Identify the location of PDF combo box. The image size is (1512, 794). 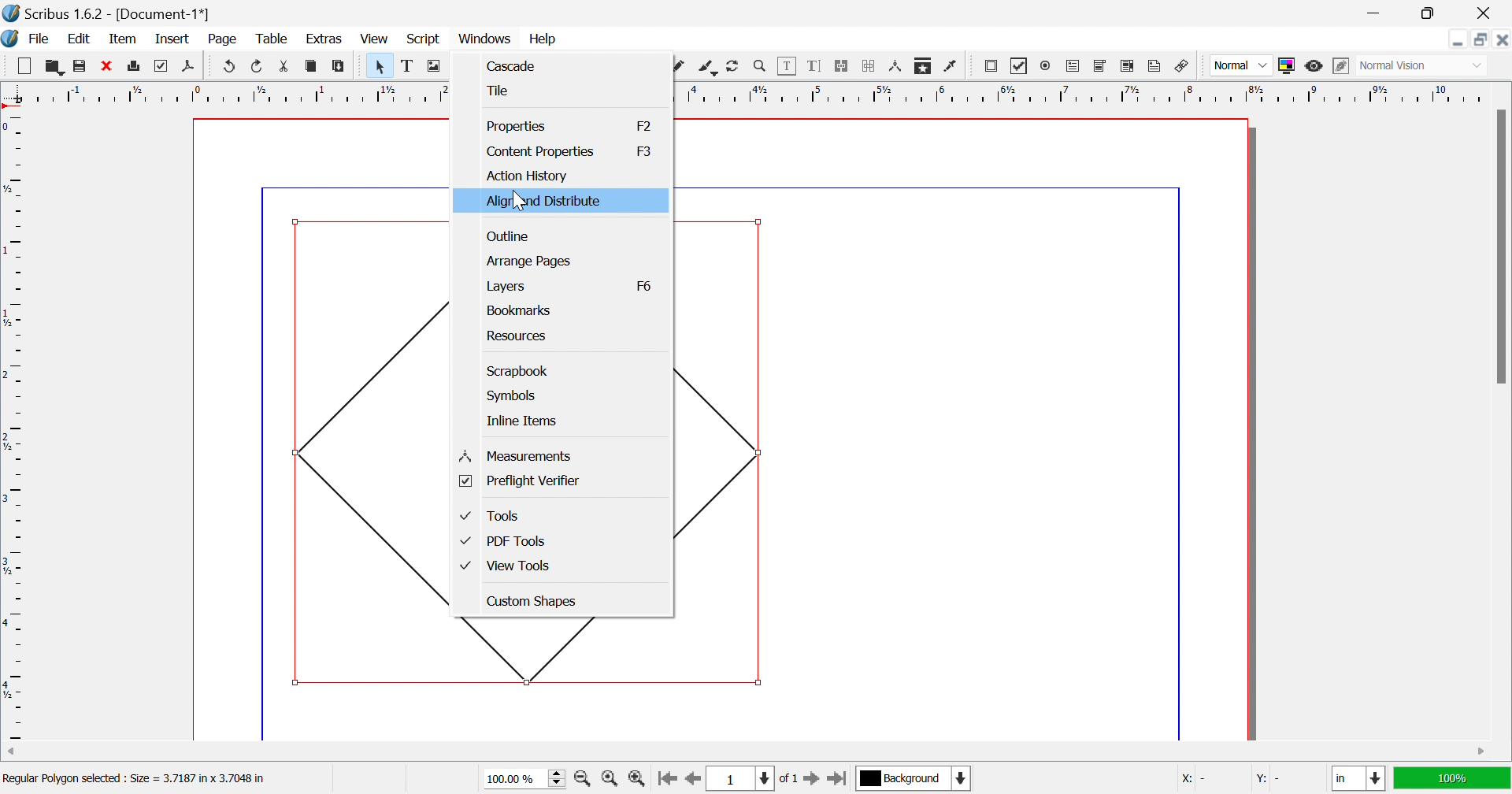
(1101, 66).